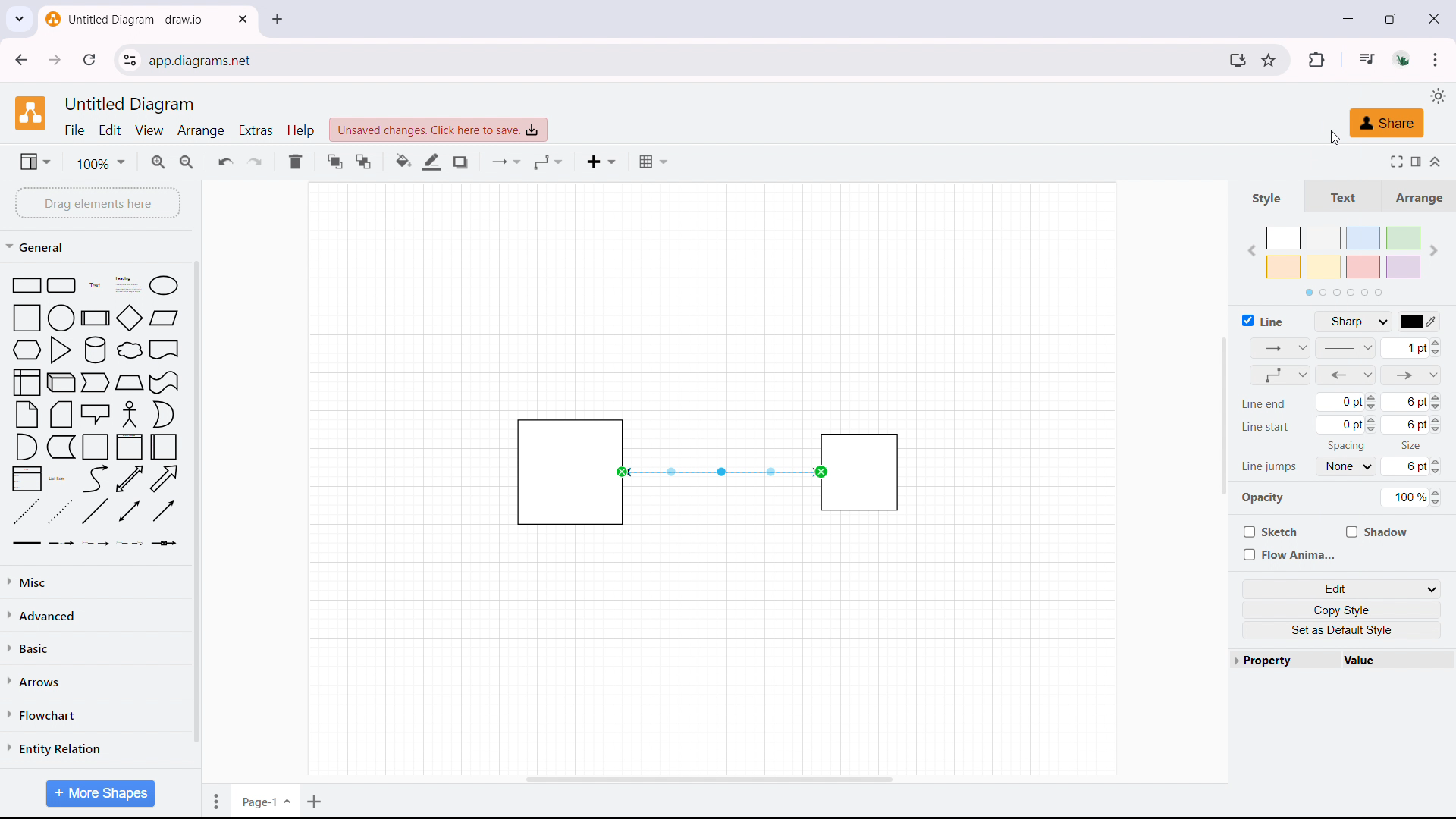 Image resolution: width=1456 pixels, height=819 pixels. Describe the element at coordinates (75, 130) in the screenshot. I see `file` at that location.